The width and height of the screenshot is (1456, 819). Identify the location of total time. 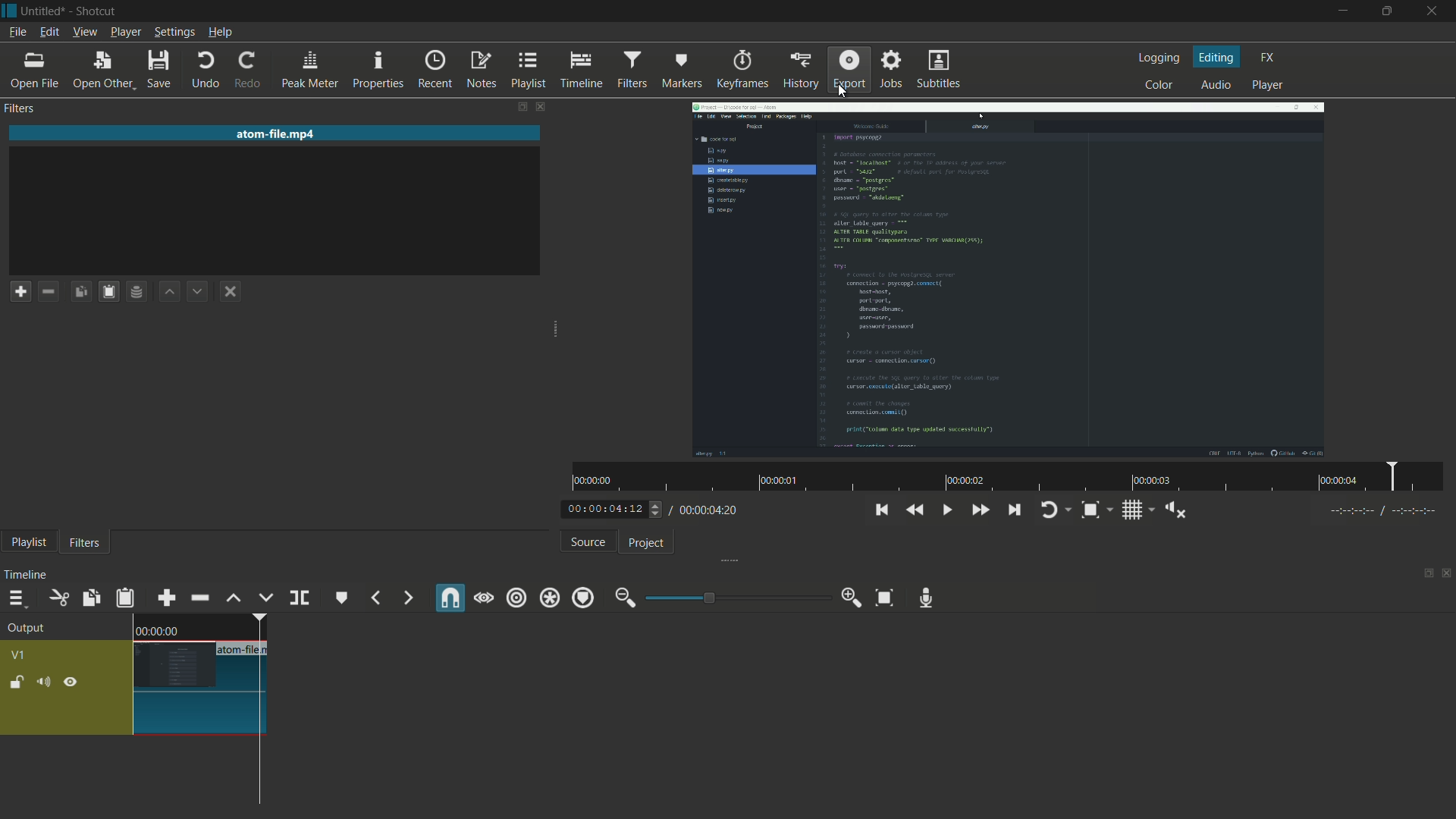
(709, 510).